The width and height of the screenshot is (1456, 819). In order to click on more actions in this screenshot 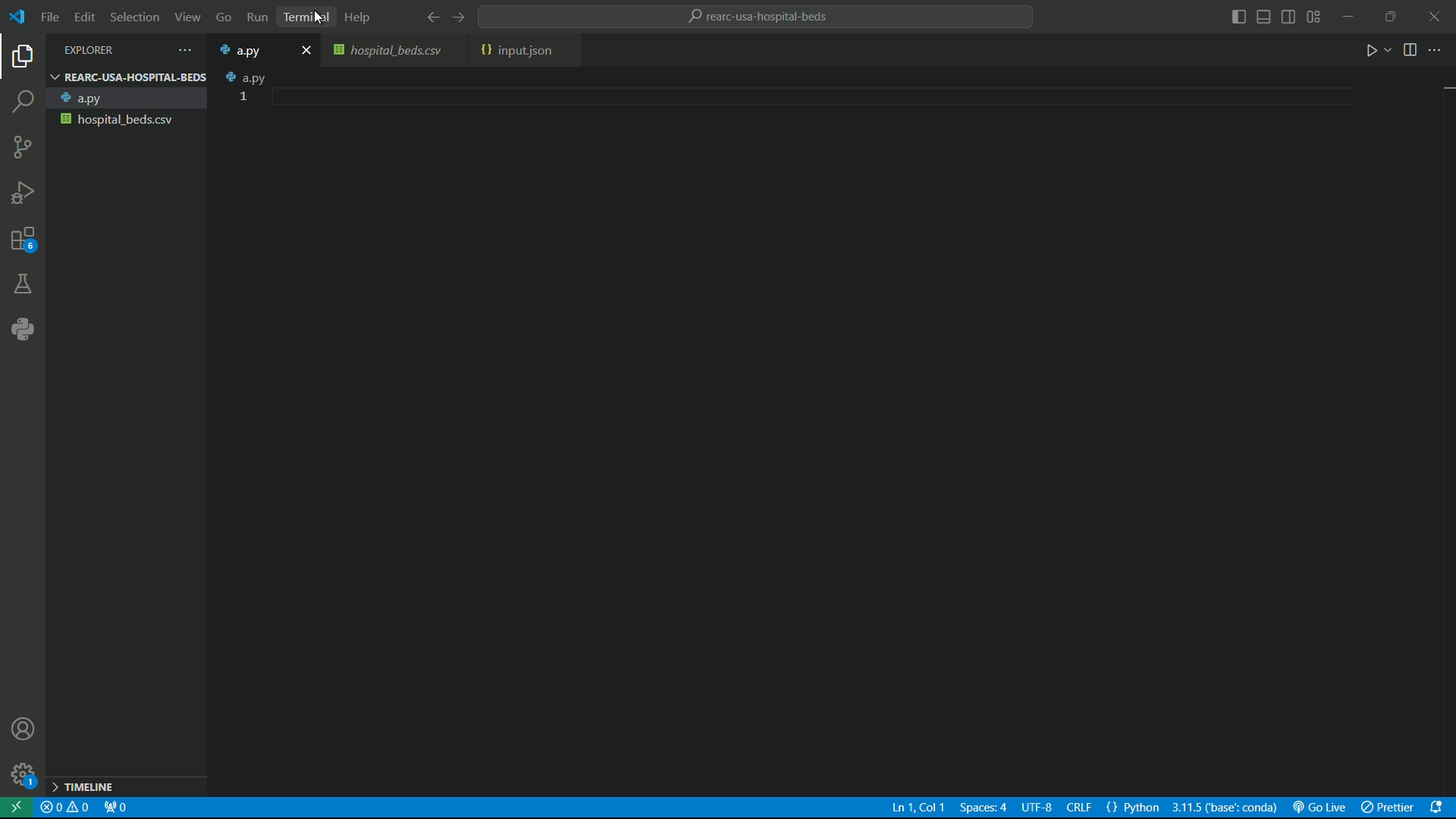, I will do `click(1439, 52)`.